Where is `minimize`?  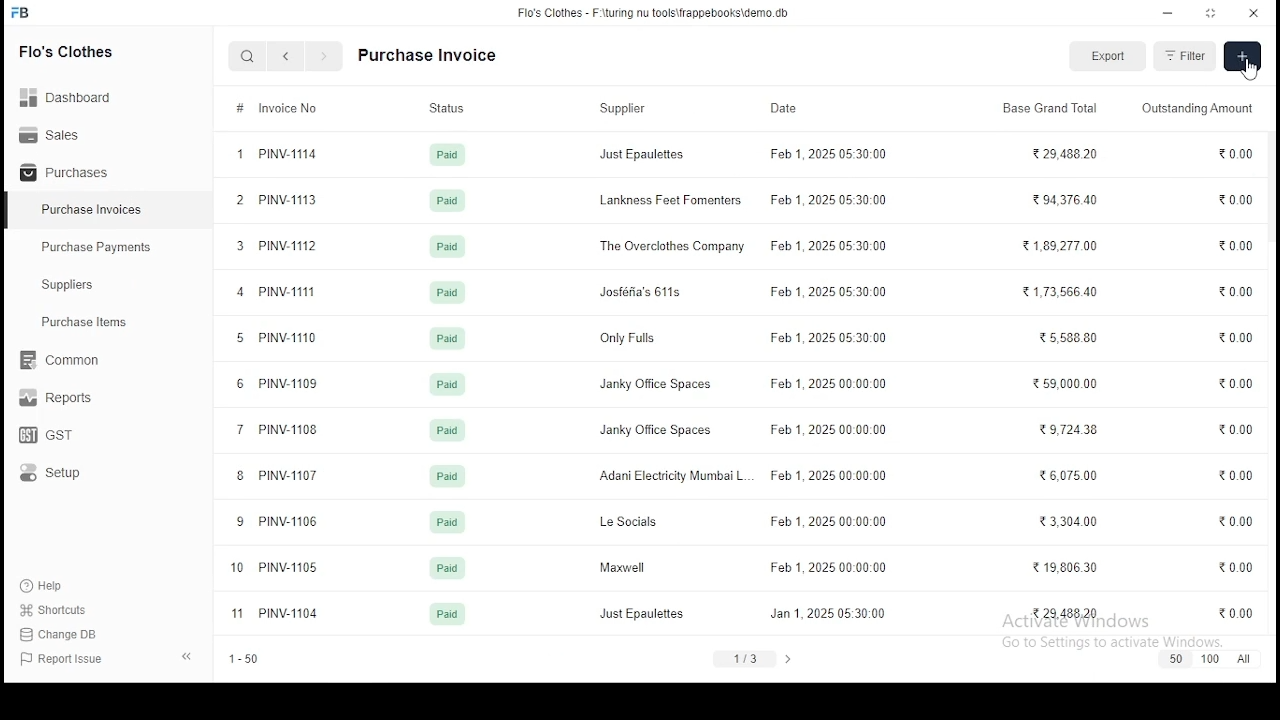 minimize is located at coordinates (1170, 12).